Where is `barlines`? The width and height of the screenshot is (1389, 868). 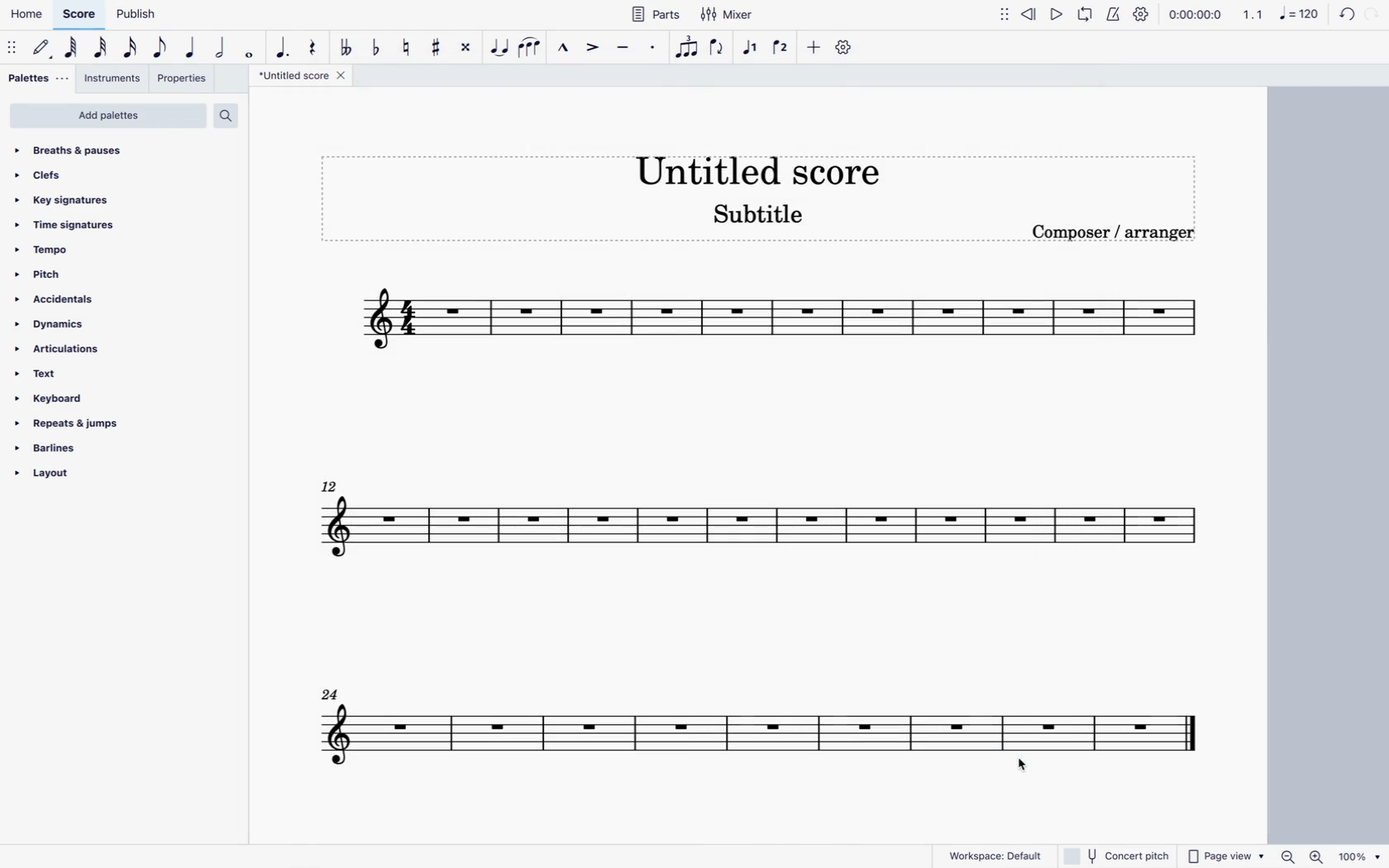
barlines is located at coordinates (49, 448).